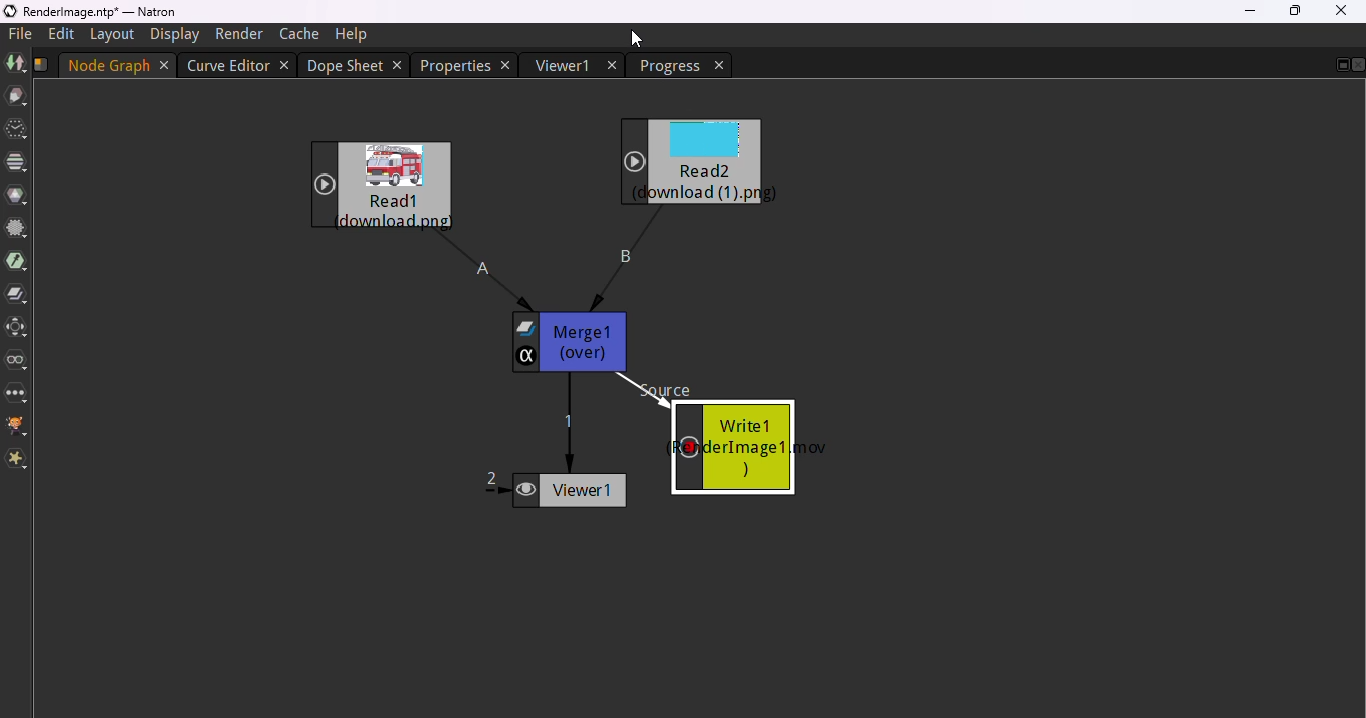  What do you see at coordinates (747, 455) in the screenshot?
I see `write 1` at bounding box center [747, 455].